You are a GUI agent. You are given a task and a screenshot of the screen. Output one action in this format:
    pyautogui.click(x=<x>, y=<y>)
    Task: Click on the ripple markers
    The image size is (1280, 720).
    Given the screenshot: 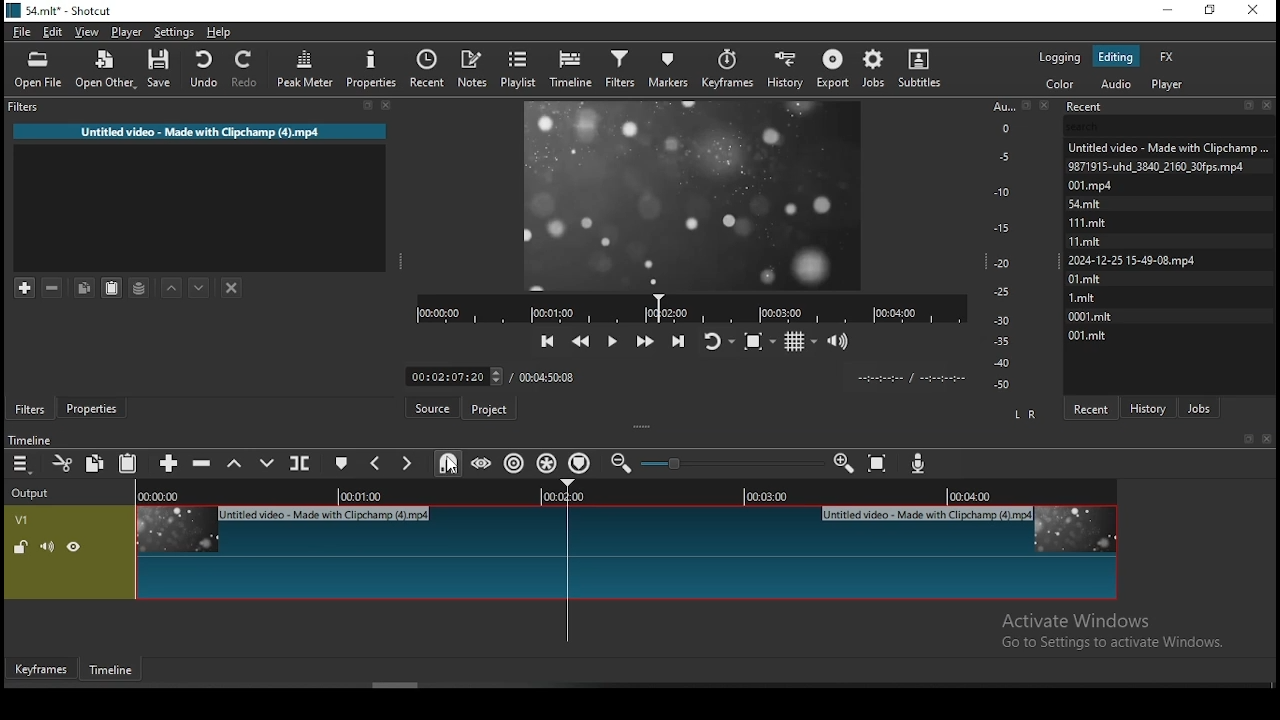 What is the action you would take?
    pyautogui.click(x=580, y=462)
    